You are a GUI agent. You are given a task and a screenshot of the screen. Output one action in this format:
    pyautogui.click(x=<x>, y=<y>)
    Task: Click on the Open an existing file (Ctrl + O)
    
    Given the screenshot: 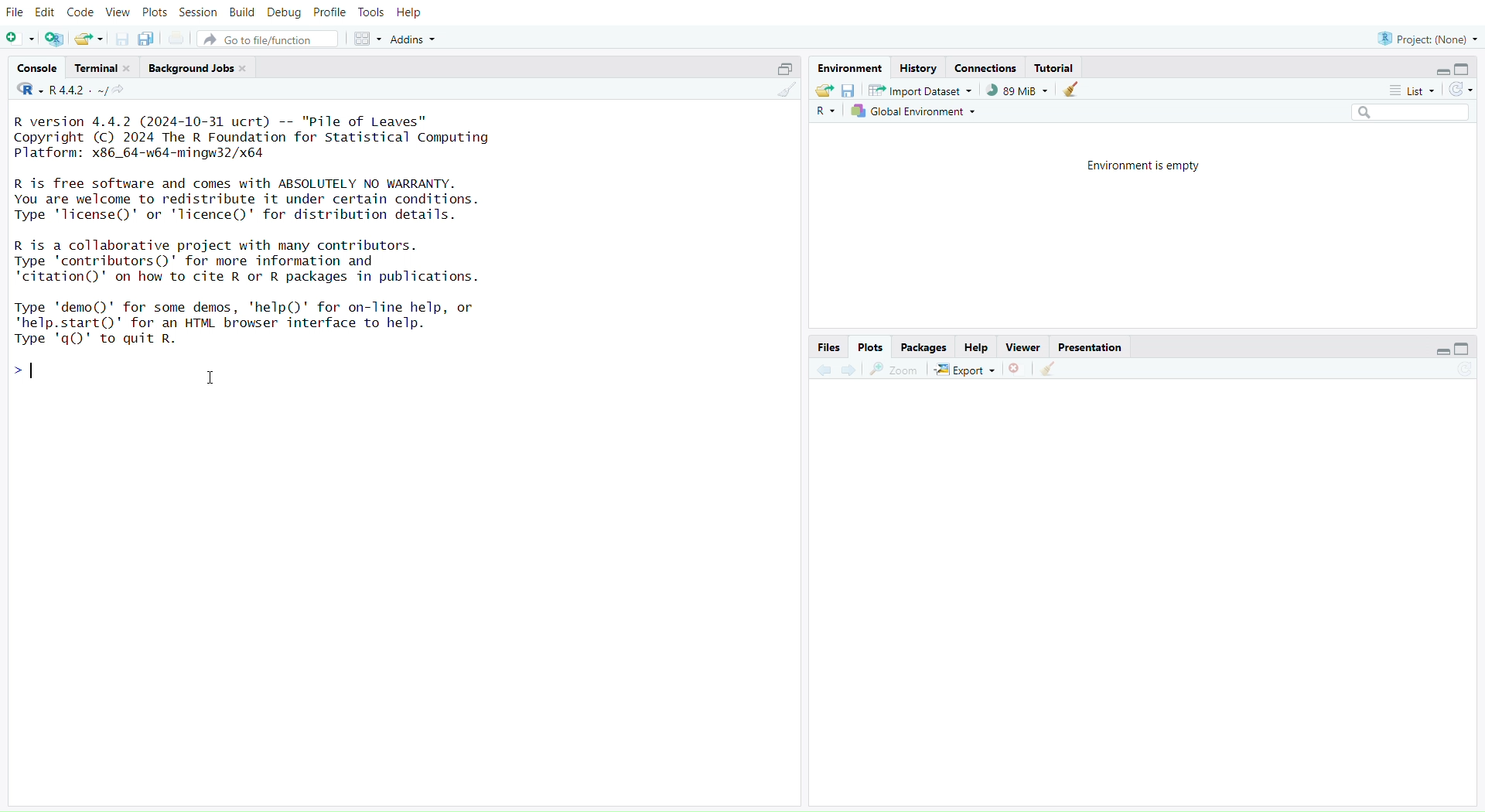 What is the action you would take?
    pyautogui.click(x=88, y=39)
    